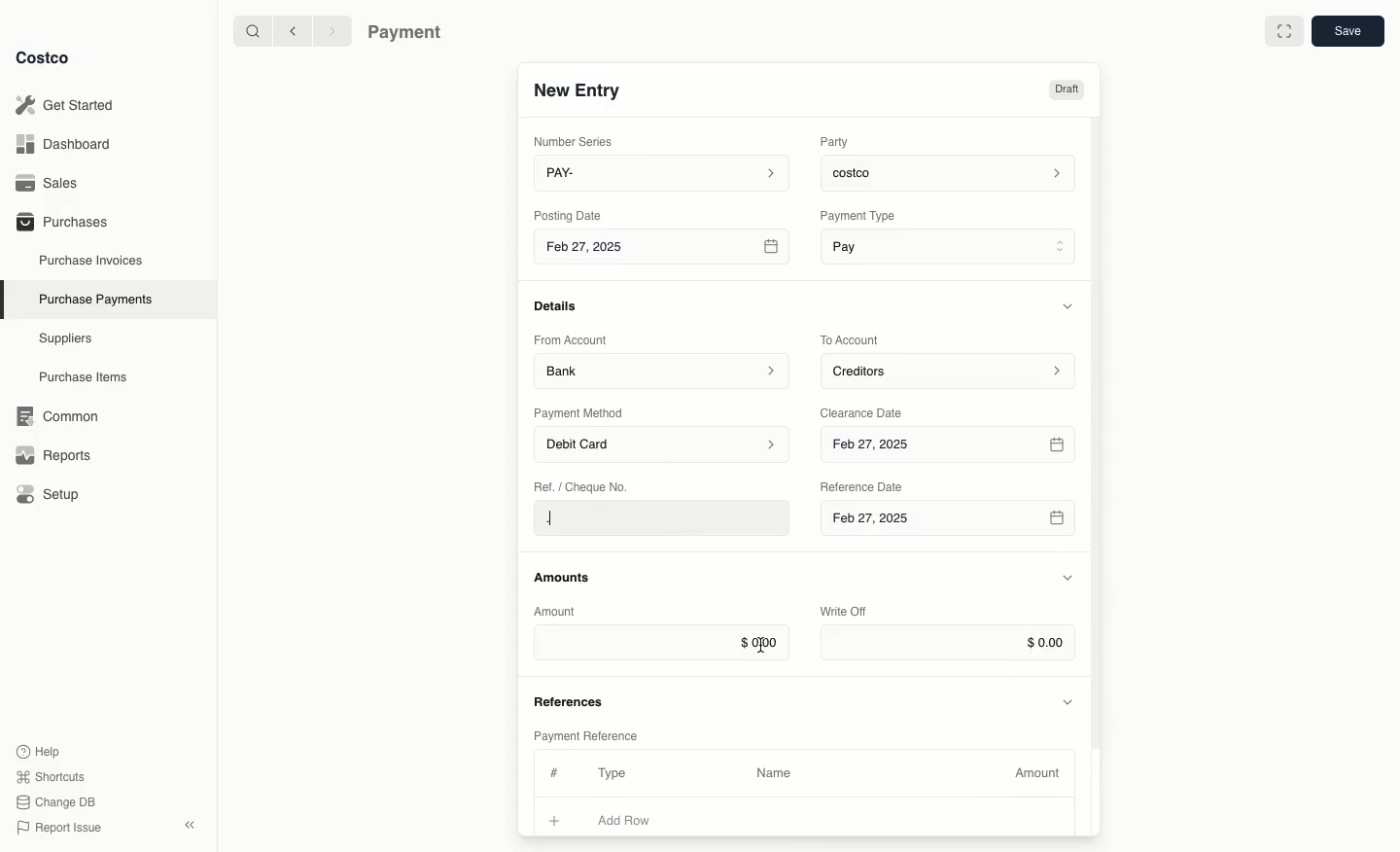 This screenshot has width=1400, height=852. I want to click on From Account, so click(571, 339).